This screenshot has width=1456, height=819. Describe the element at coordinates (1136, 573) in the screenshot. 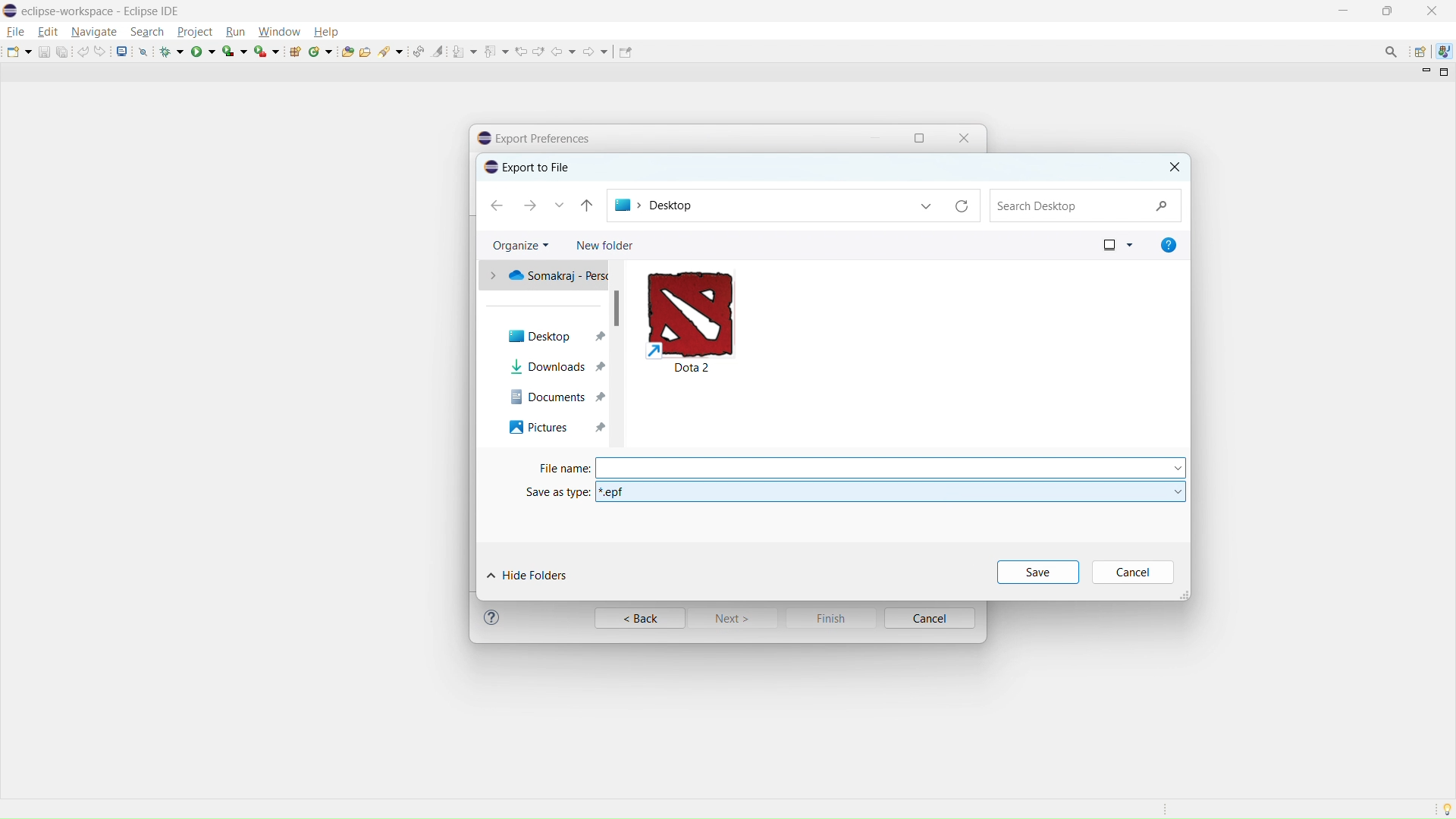

I see `Cancel` at that location.